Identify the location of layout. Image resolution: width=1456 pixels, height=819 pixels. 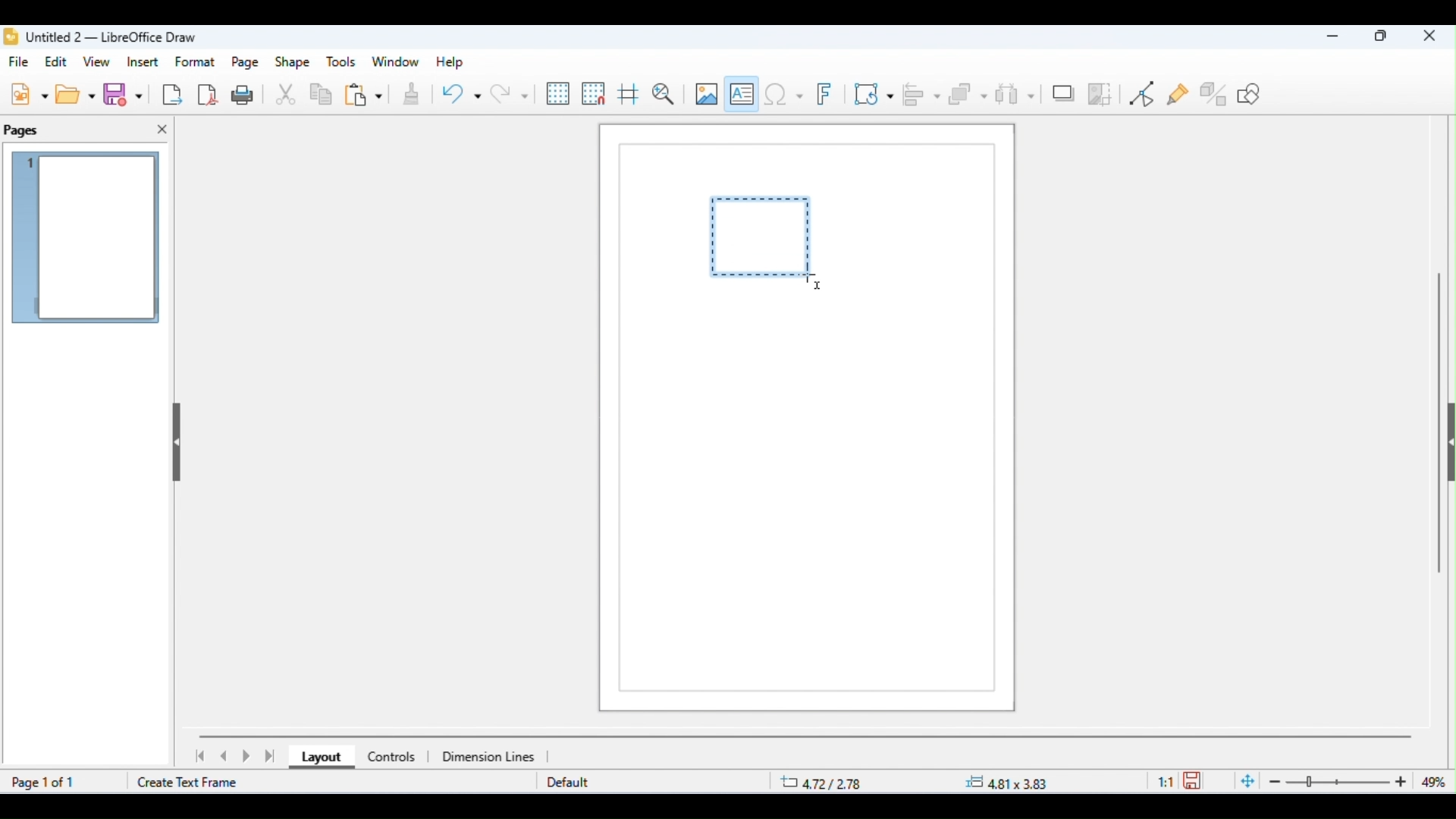
(318, 758).